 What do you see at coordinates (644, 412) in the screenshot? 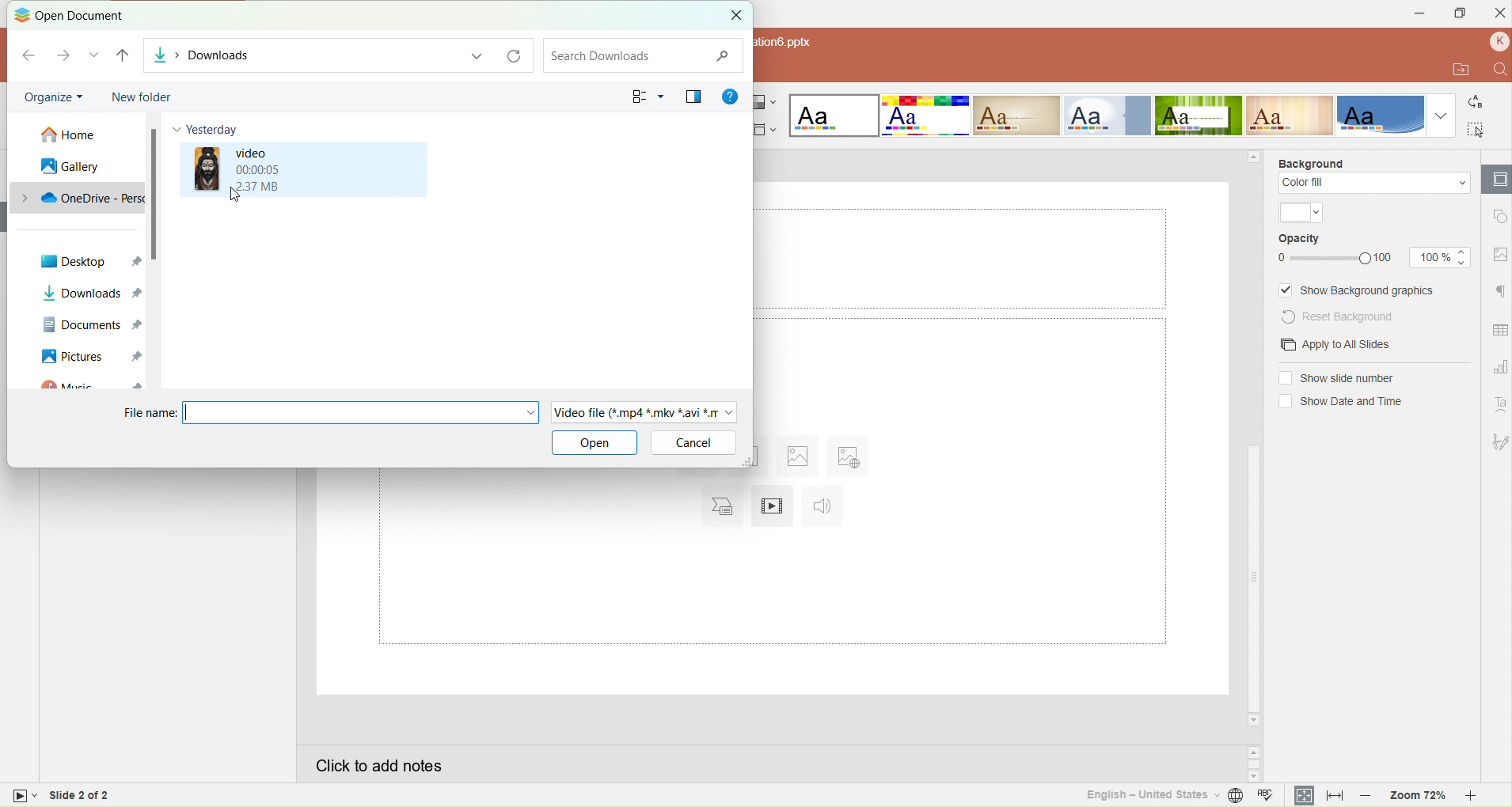
I see `File Type` at bounding box center [644, 412].